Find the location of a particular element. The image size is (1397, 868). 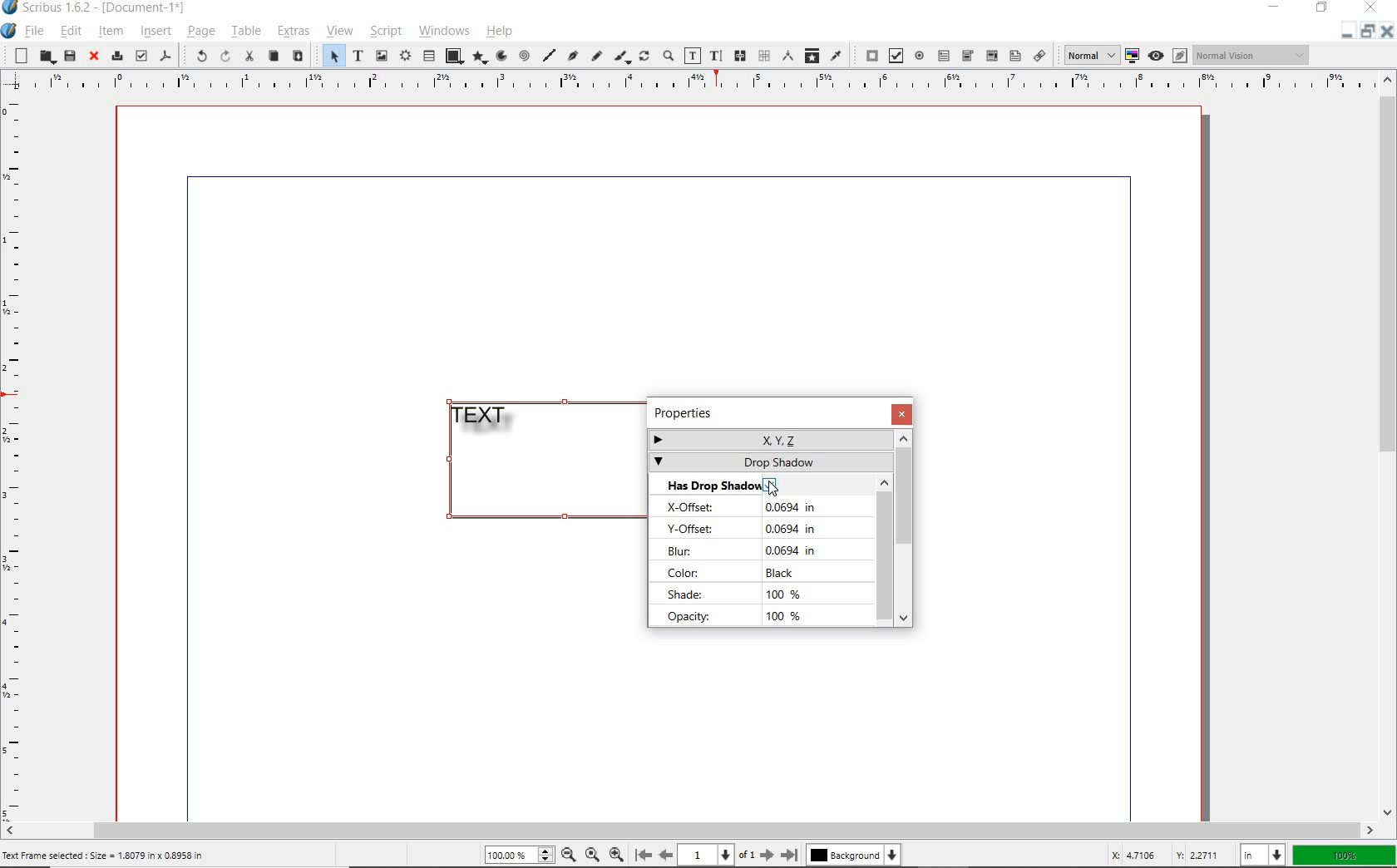

print is located at coordinates (116, 57).